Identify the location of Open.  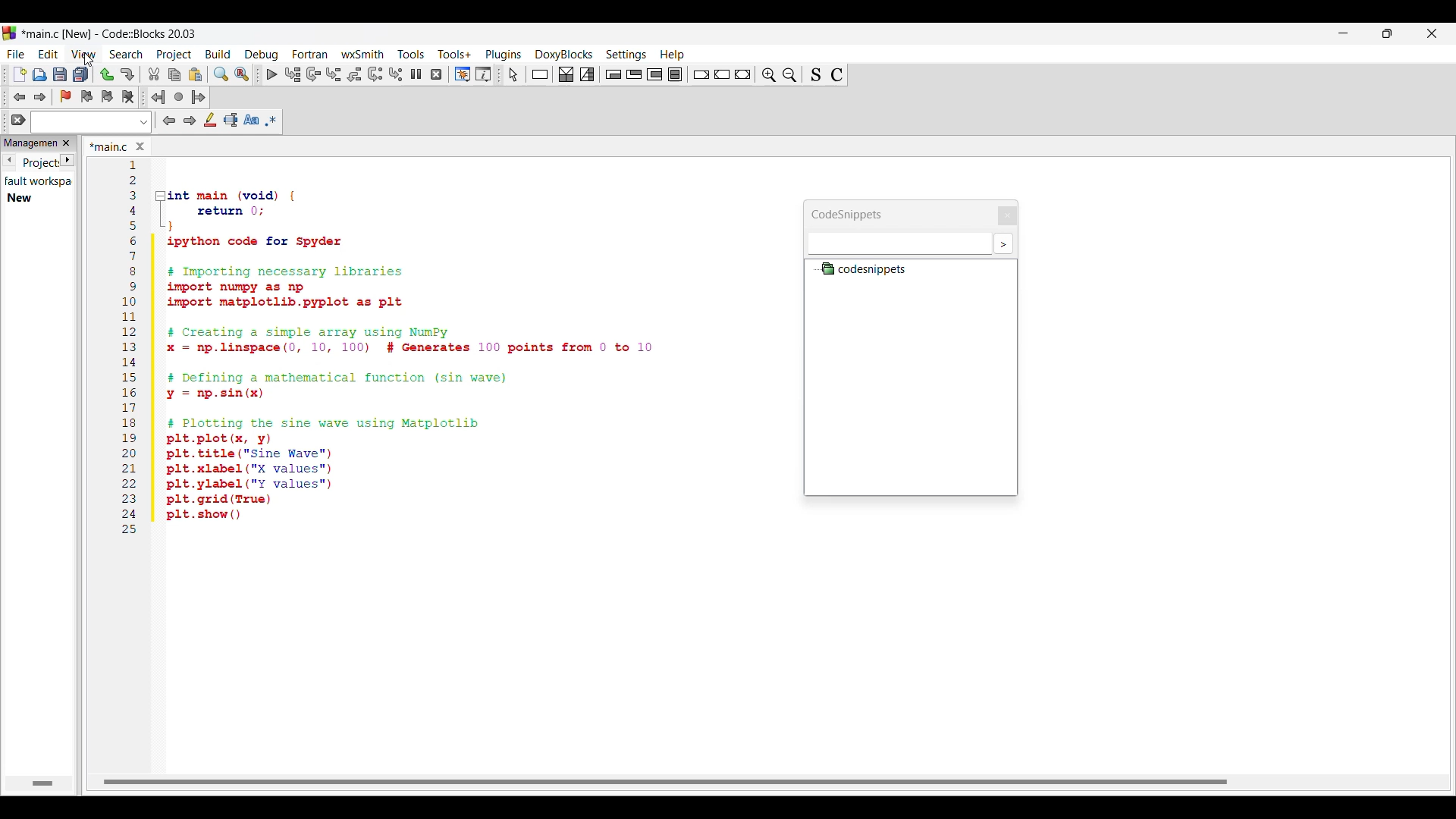
(39, 75).